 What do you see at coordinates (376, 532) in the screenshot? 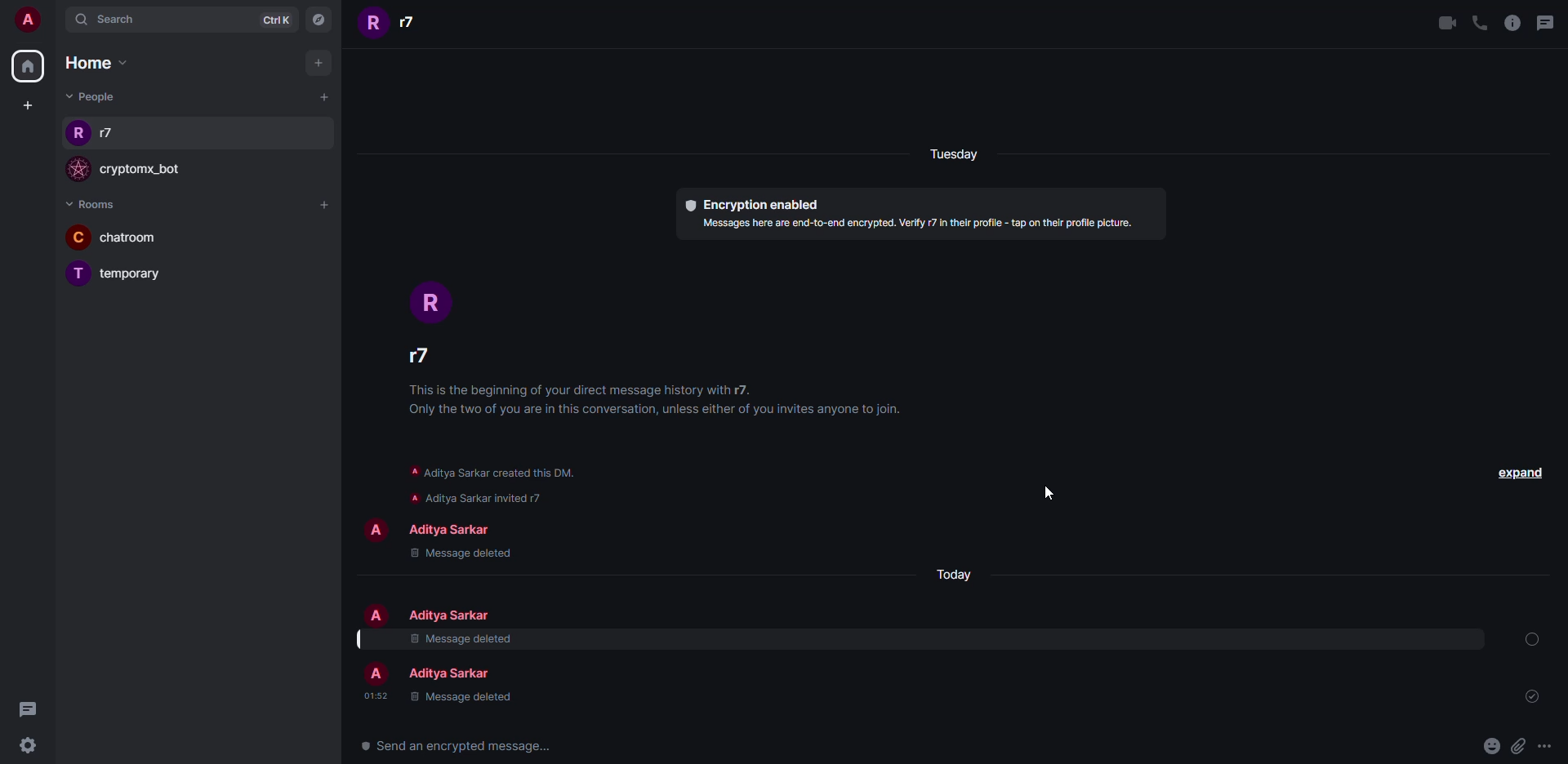
I see `profile` at bounding box center [376, 532].